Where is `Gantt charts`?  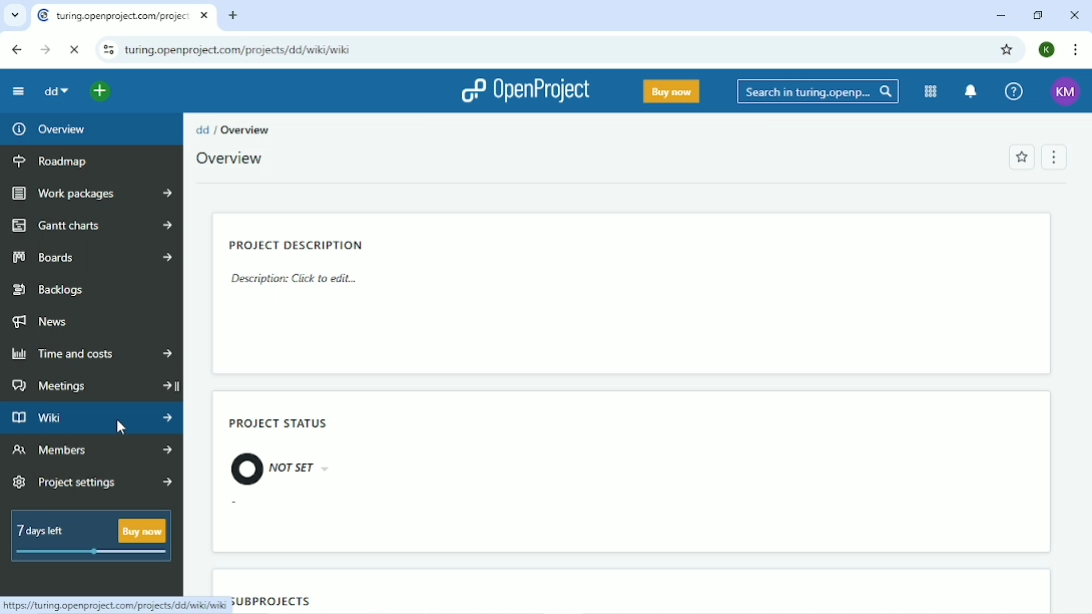
Gantt charts is located at coordinates (90, 225).